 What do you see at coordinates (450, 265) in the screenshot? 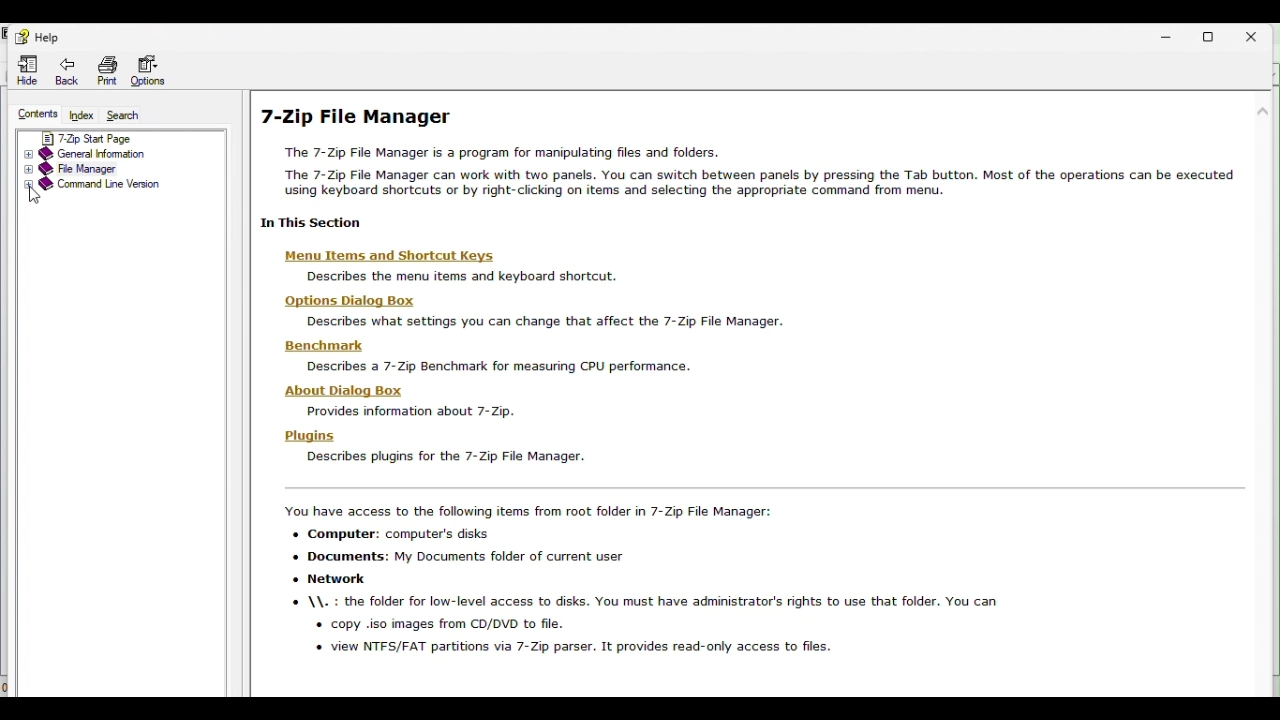
I see `menu items and shortcut keys` at bounding box center [450, 265].